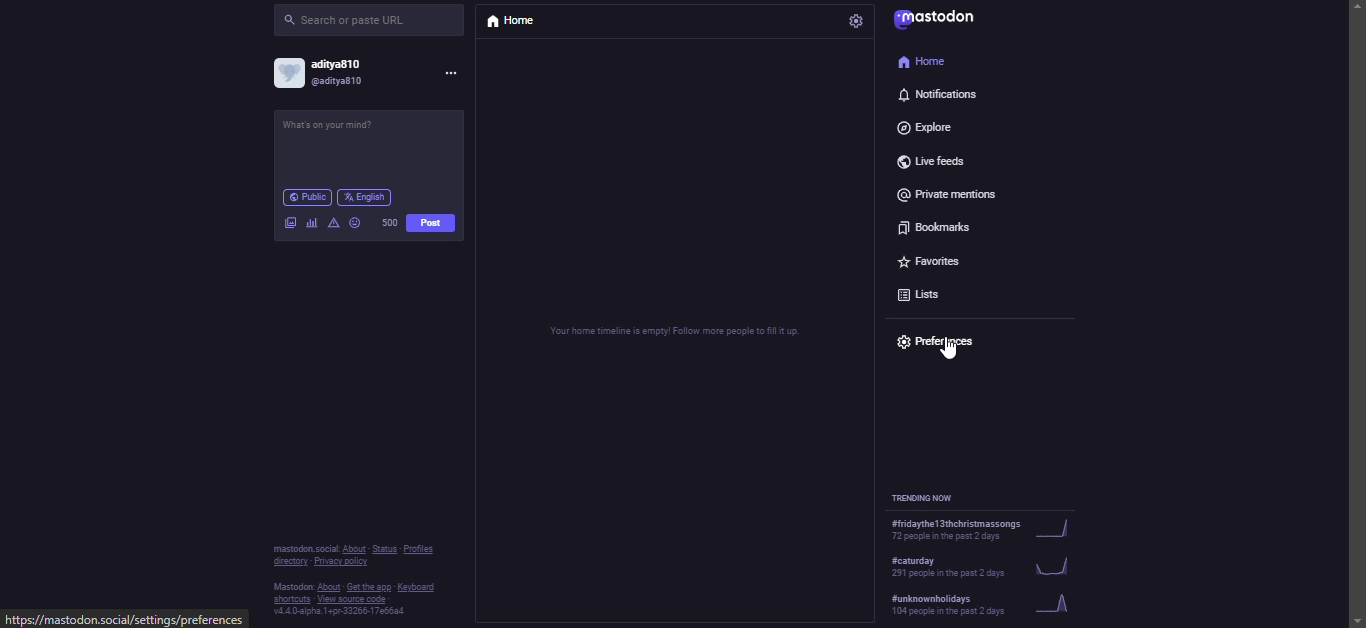 This screenshot has width=1366, height=628. Describe the element at coordinates (946, 351) in the screenshot. I see `cursor` at that location.